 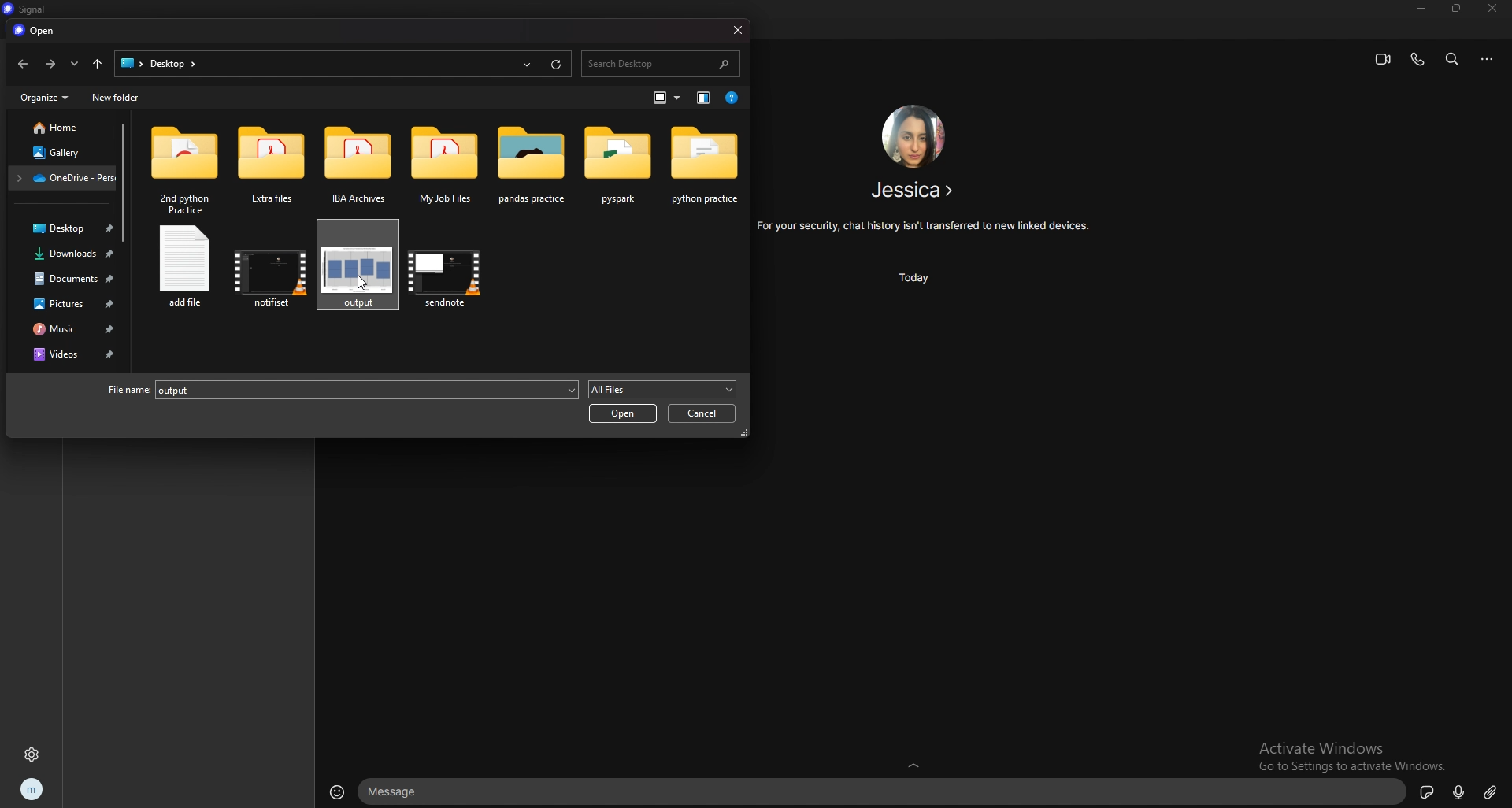 I want to click on folder, so click(x=270, y=160).